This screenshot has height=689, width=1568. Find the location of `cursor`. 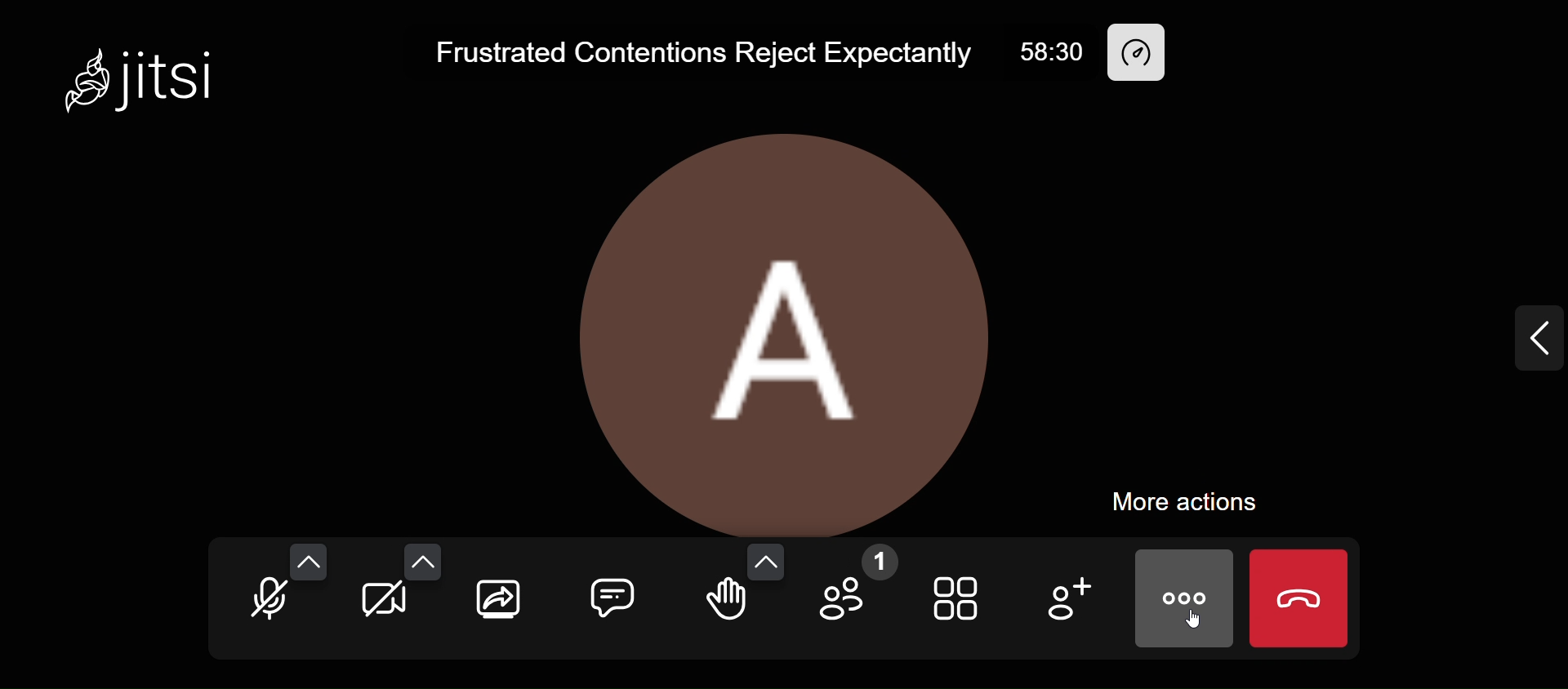

cursor is located at coordinates (1198, 620).